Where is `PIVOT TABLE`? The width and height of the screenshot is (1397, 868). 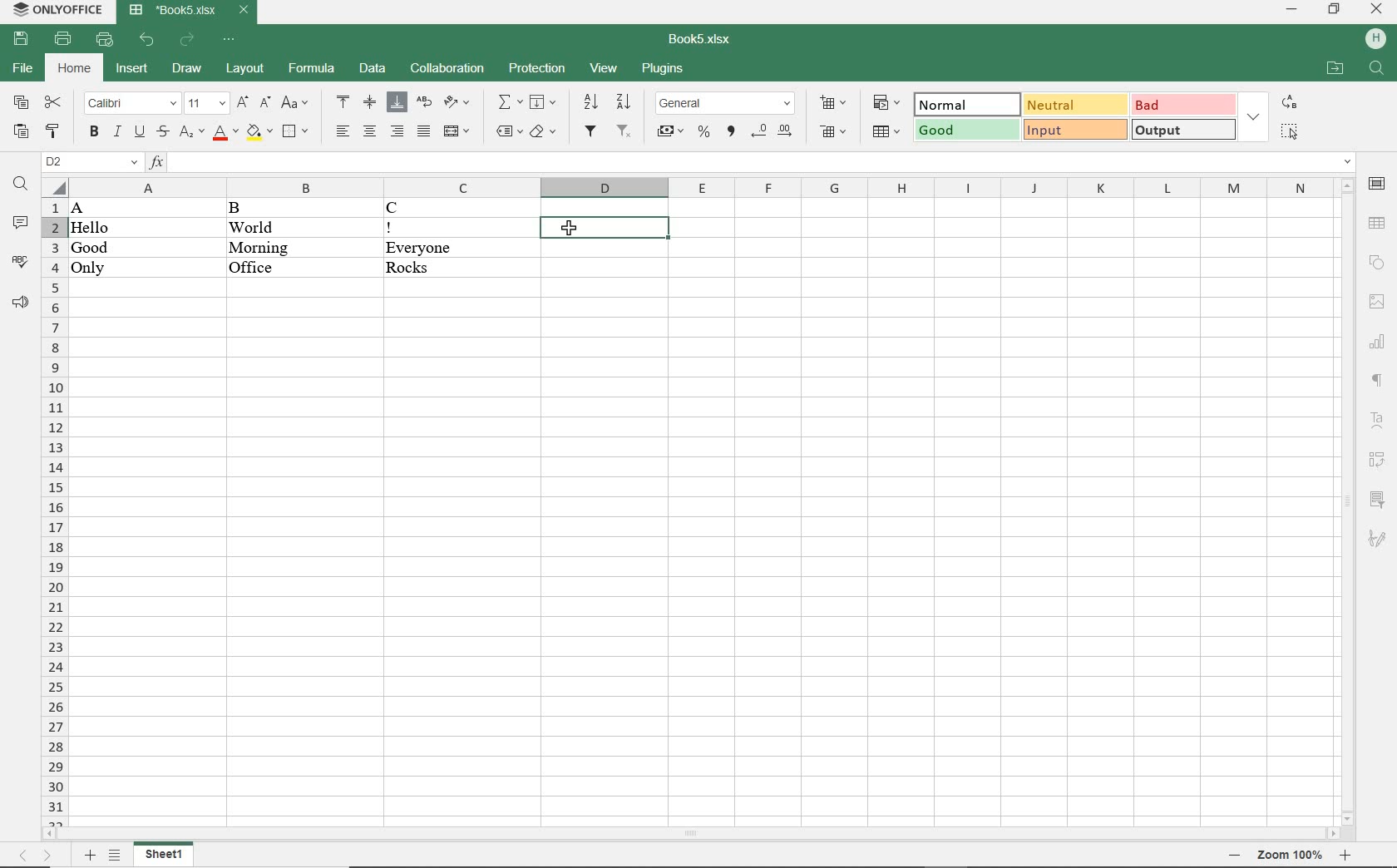 PIVOT TABLE is located at coordinates (1376, 459).